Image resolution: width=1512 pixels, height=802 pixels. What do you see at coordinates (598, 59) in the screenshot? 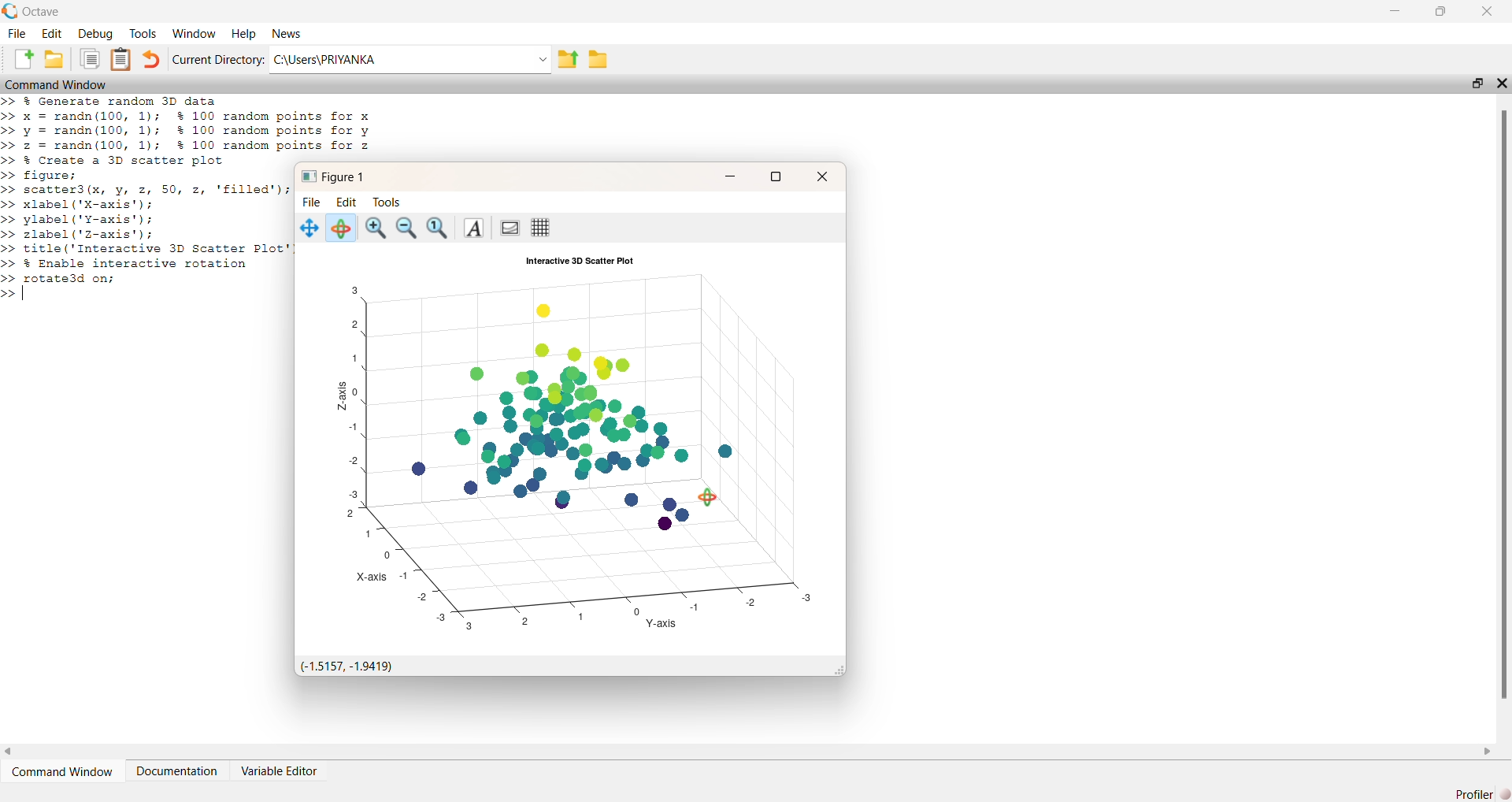
I see `folder` at bounding box center [598, 59].